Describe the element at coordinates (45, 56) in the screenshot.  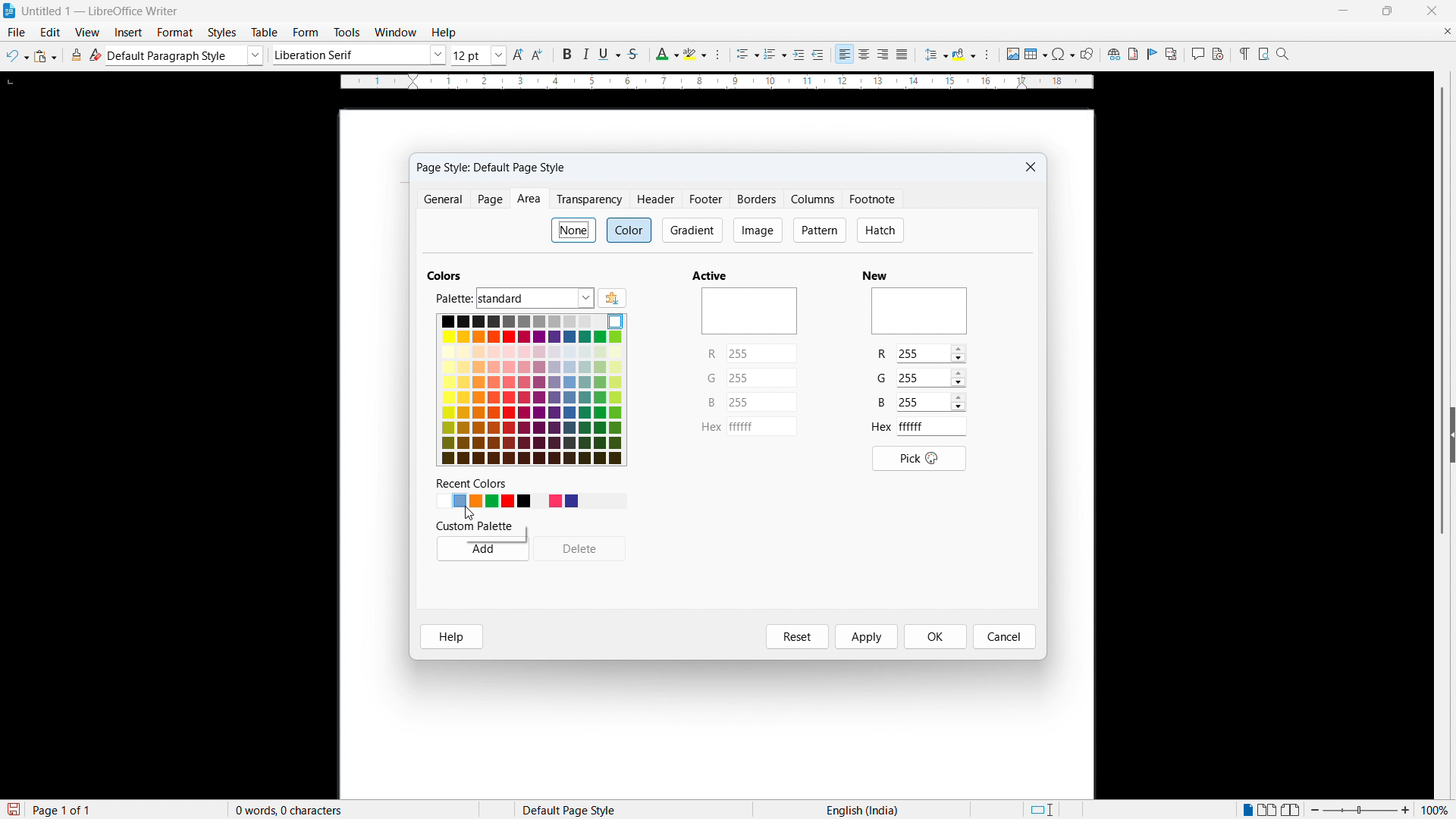
I see `Paste ` at that location.